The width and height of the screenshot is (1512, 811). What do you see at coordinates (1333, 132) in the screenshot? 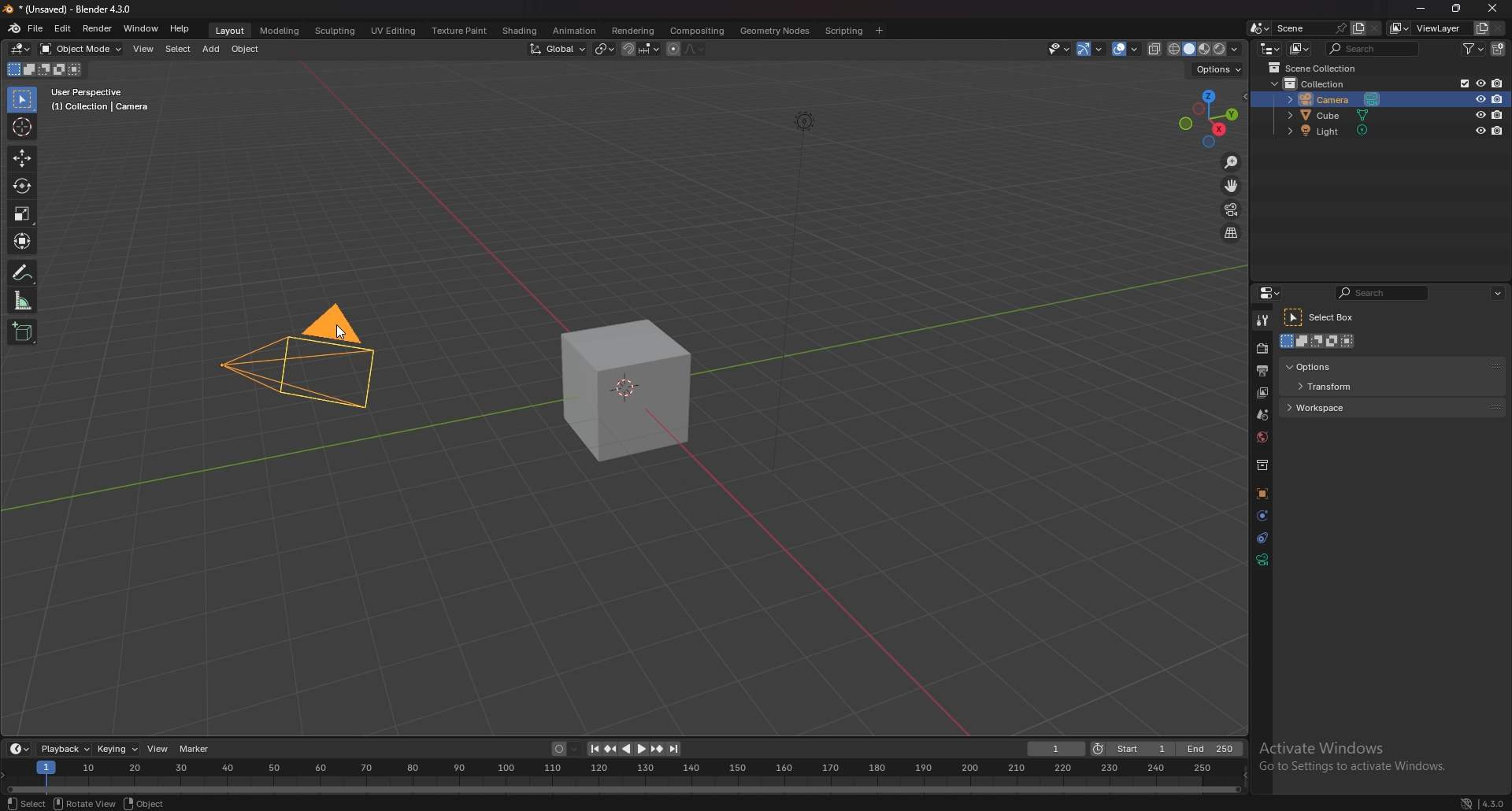
I see `light` at bounding box center [1333, 132].